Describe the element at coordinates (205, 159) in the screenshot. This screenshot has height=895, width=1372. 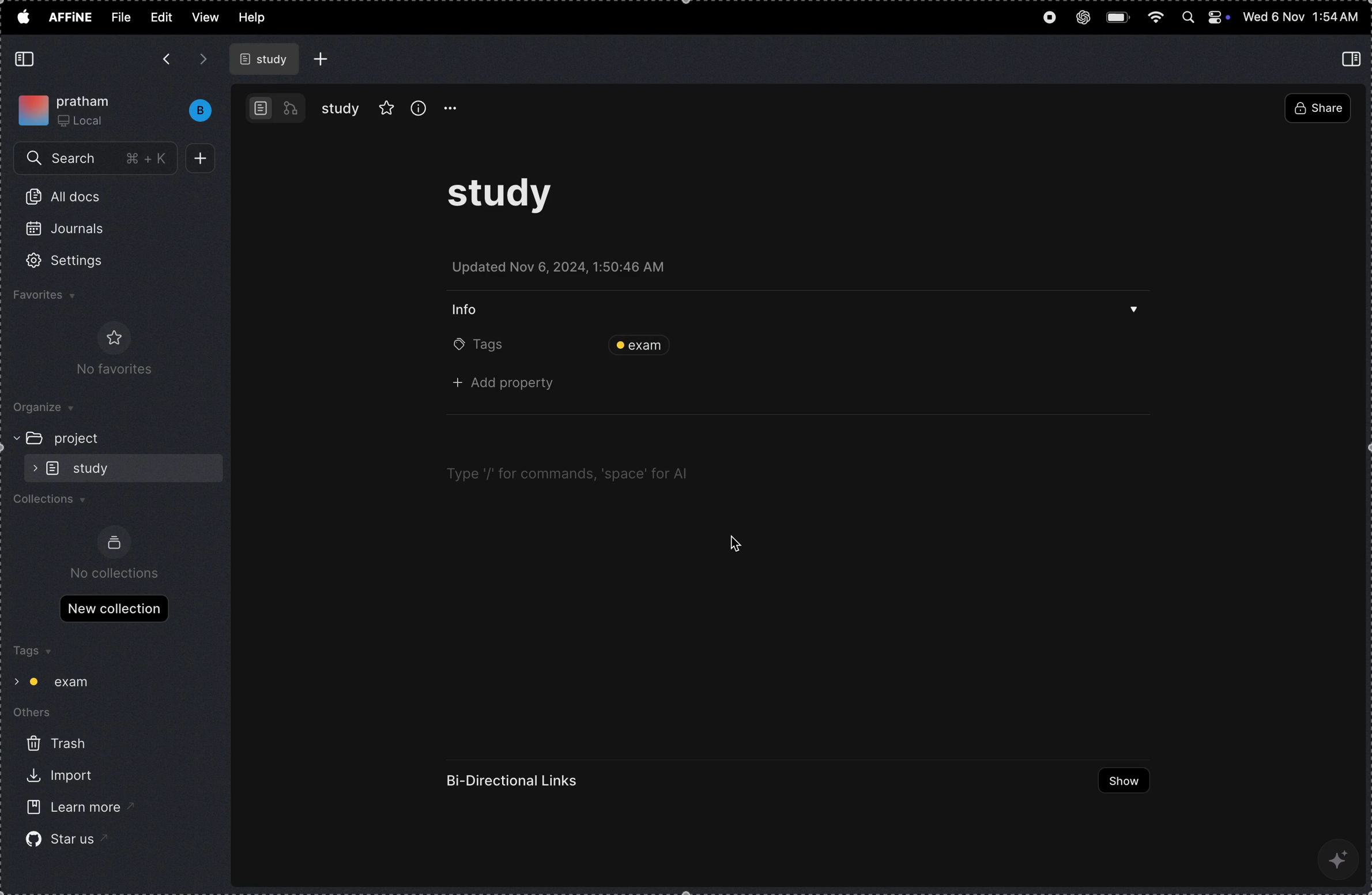
I see `add` at that location.